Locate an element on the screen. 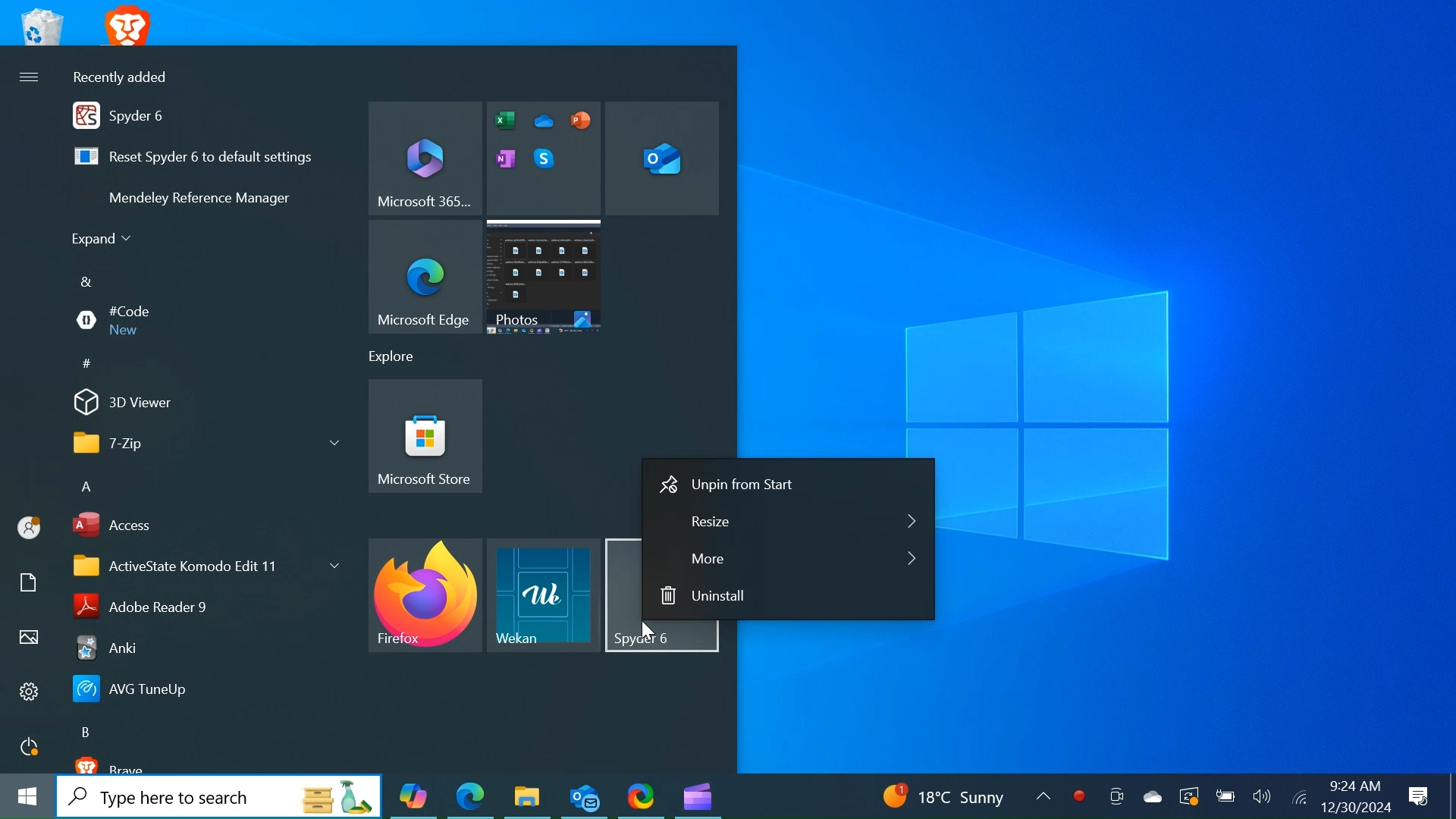 The width and height of the screenshot is (1456, 819). 12/30/2024 is located at coordinates (1354, 807).